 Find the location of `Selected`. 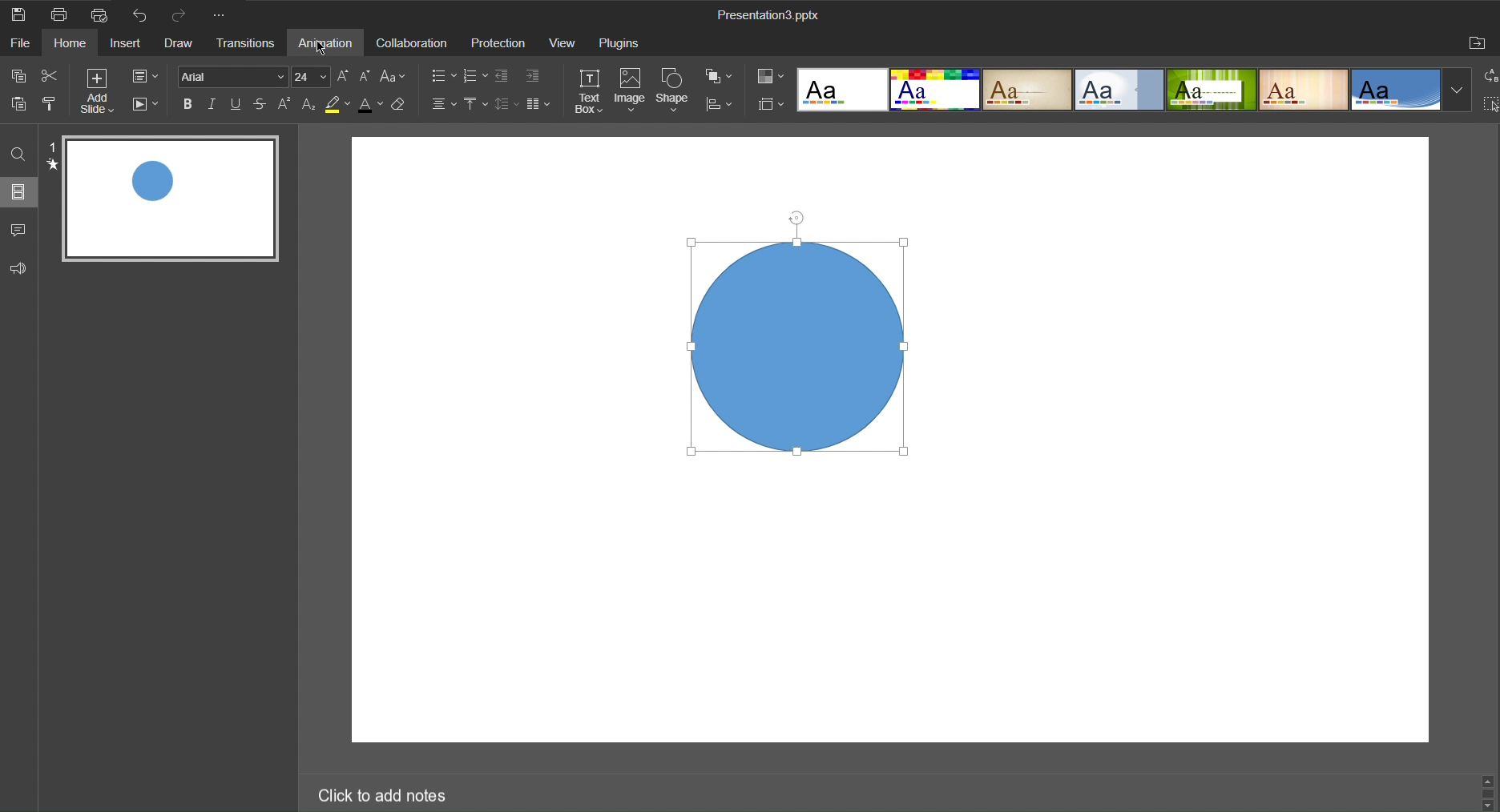

Selected is located at coordinates (796, 340).